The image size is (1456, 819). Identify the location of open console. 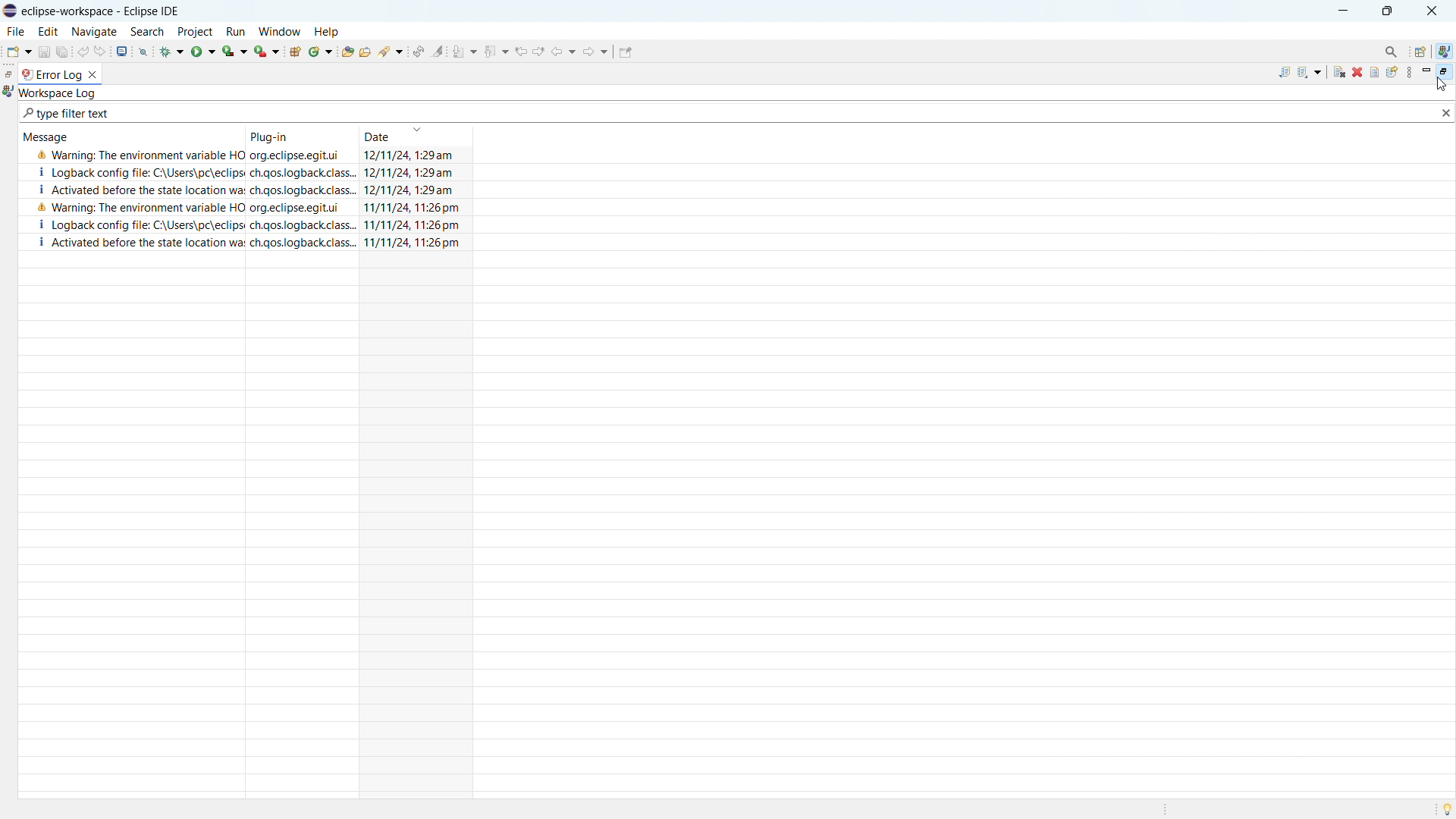
(121, 52).